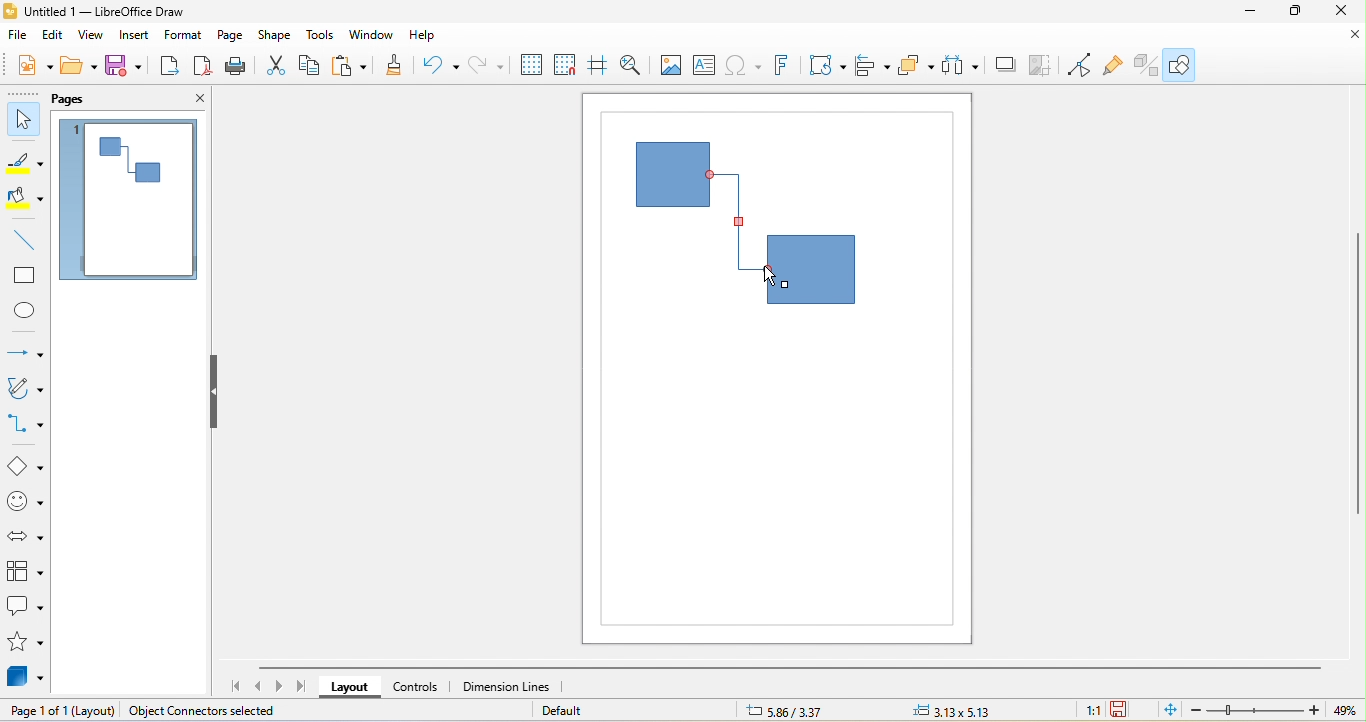 Image resolution: width=1366 pixels, height=722 pixels. What do you see at coordinates (183, 36) in the screenshot?
I see `format` at bounding box center [183, 36].